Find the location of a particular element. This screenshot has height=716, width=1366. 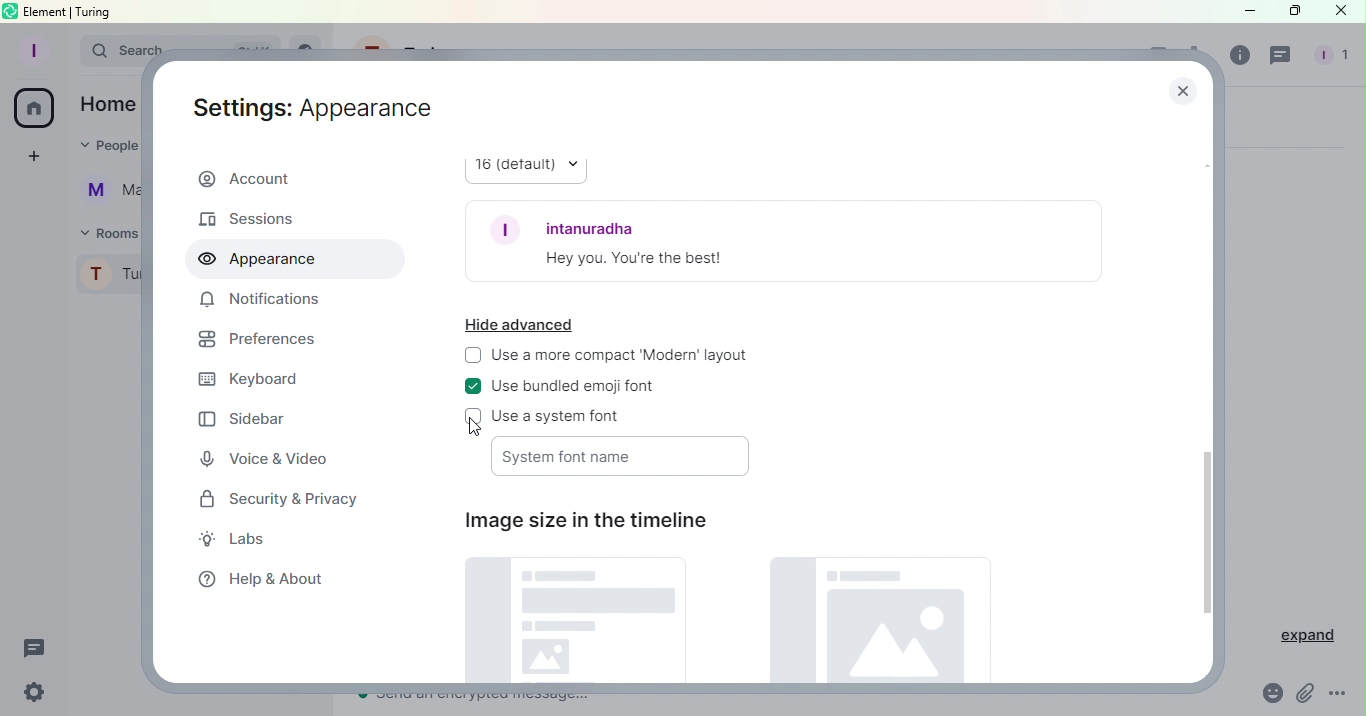

Labs is located at coordinates (236, 539).